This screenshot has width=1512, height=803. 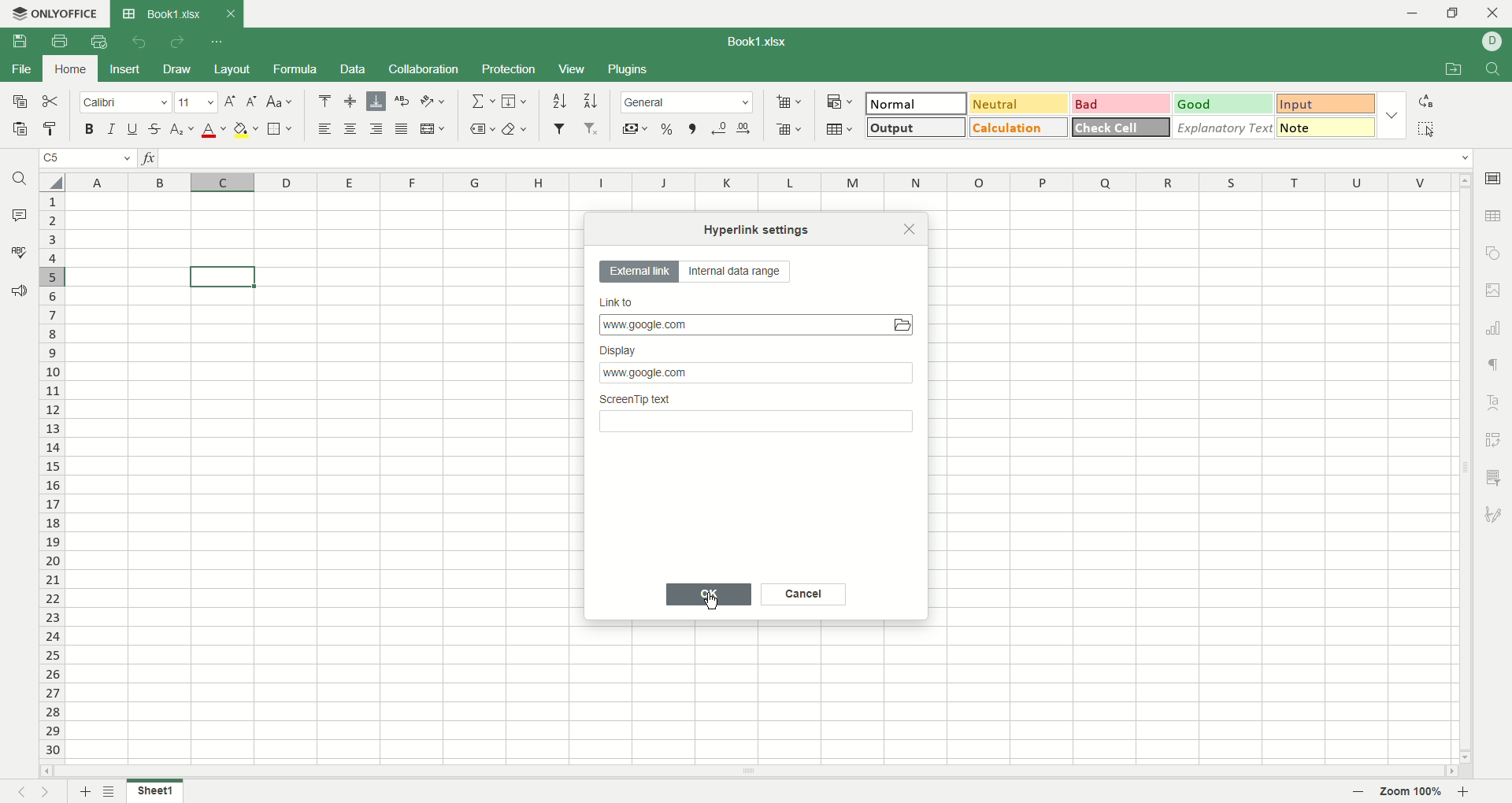 I want to click on data, so click(x=352, y=69).